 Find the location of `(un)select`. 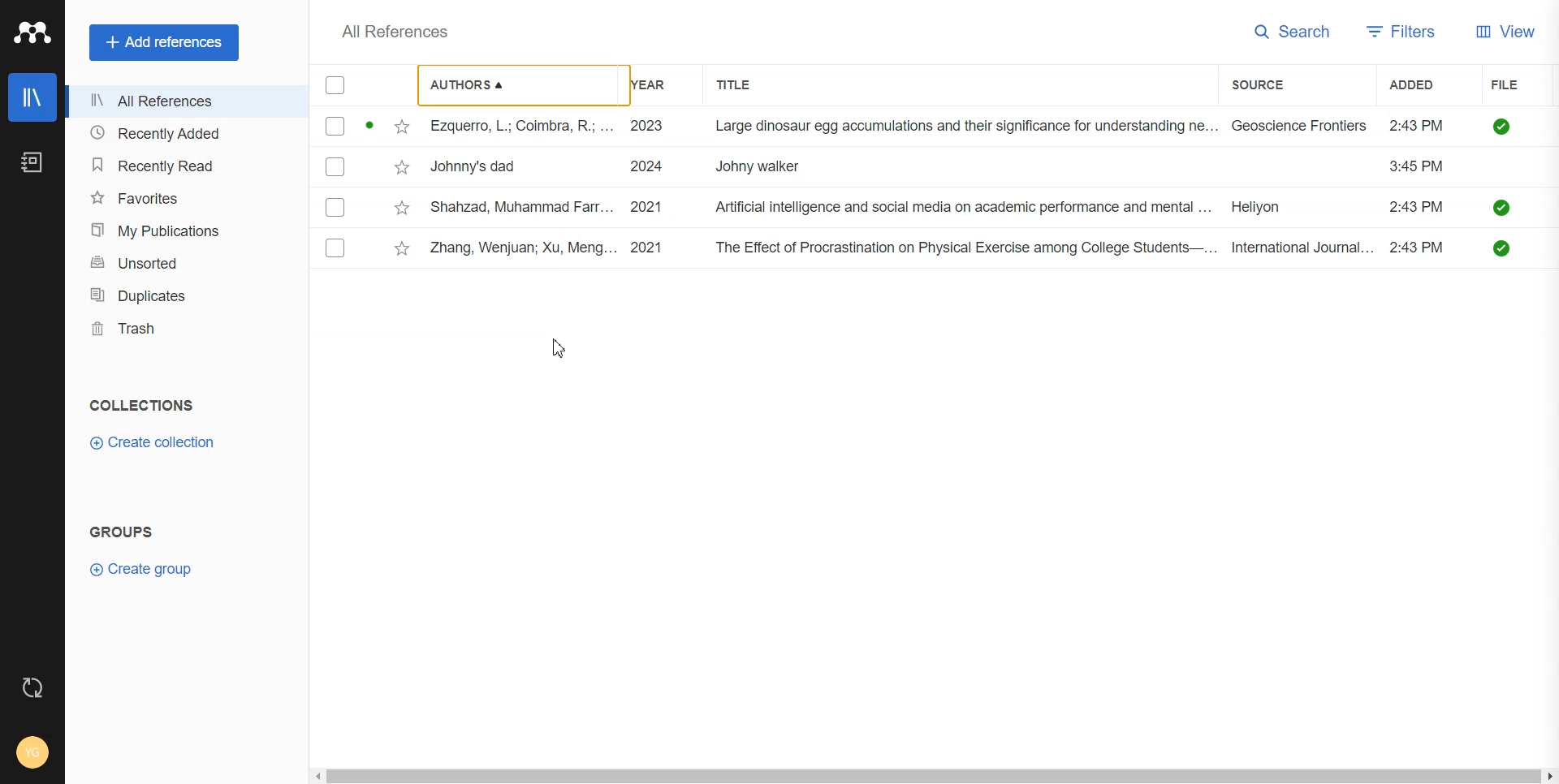

(un)select is located at coordinates (337, 209).